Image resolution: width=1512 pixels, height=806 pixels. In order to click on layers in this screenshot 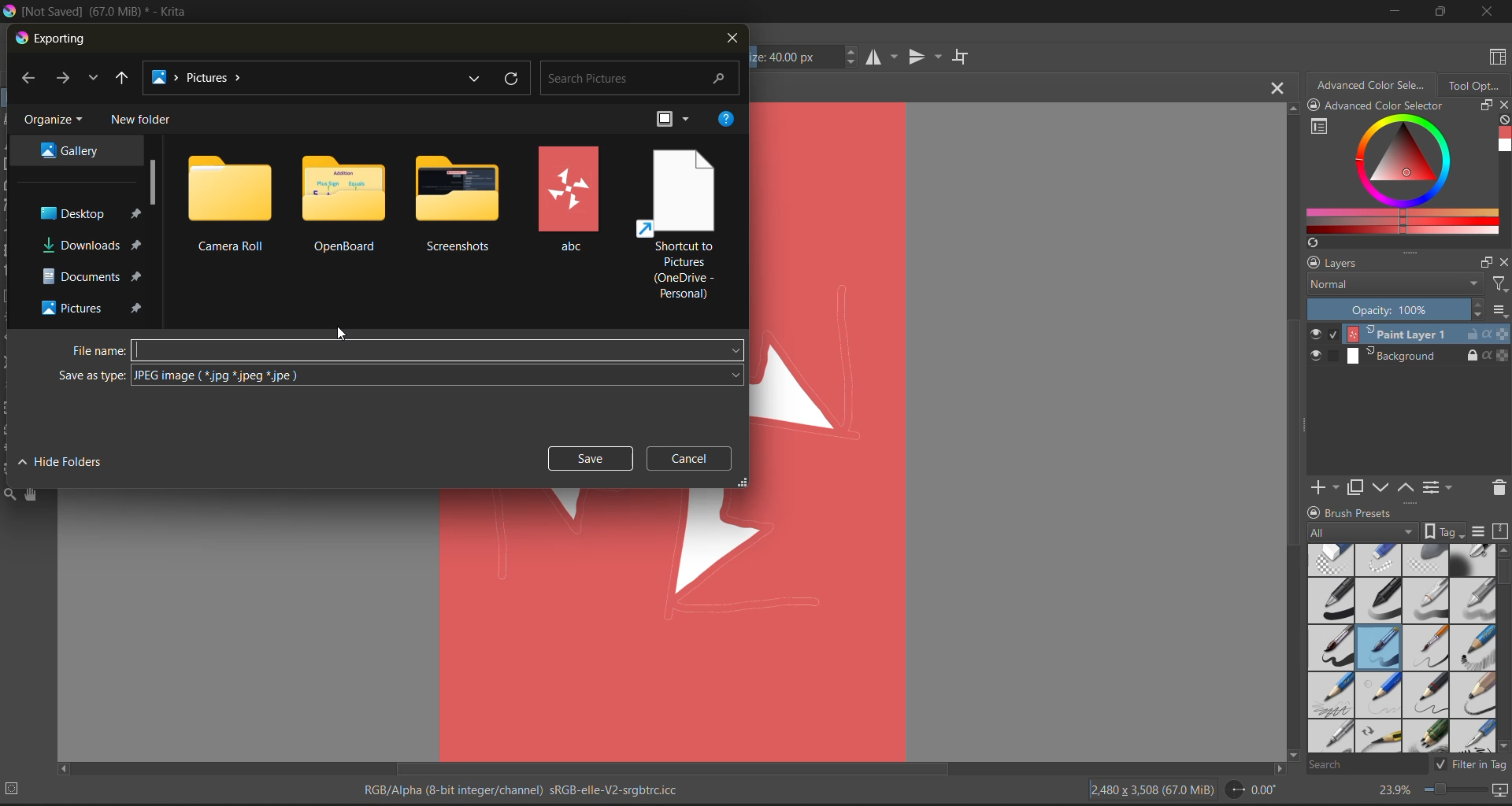, I will do `click(1387, 264)`.